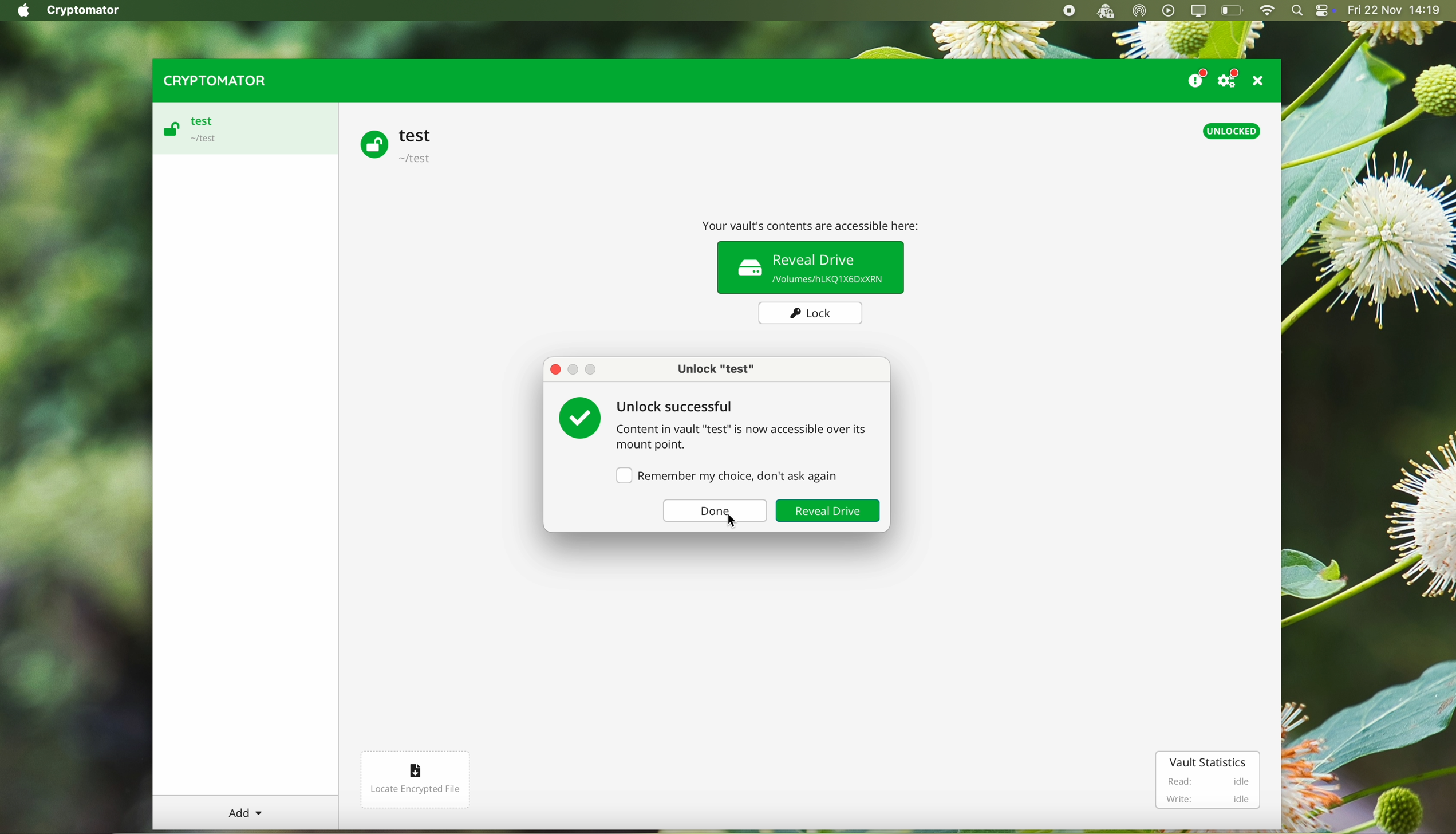 The width and height of the screenshot is (1456, 834). I want to click on unlocked, so click(1234, 131).